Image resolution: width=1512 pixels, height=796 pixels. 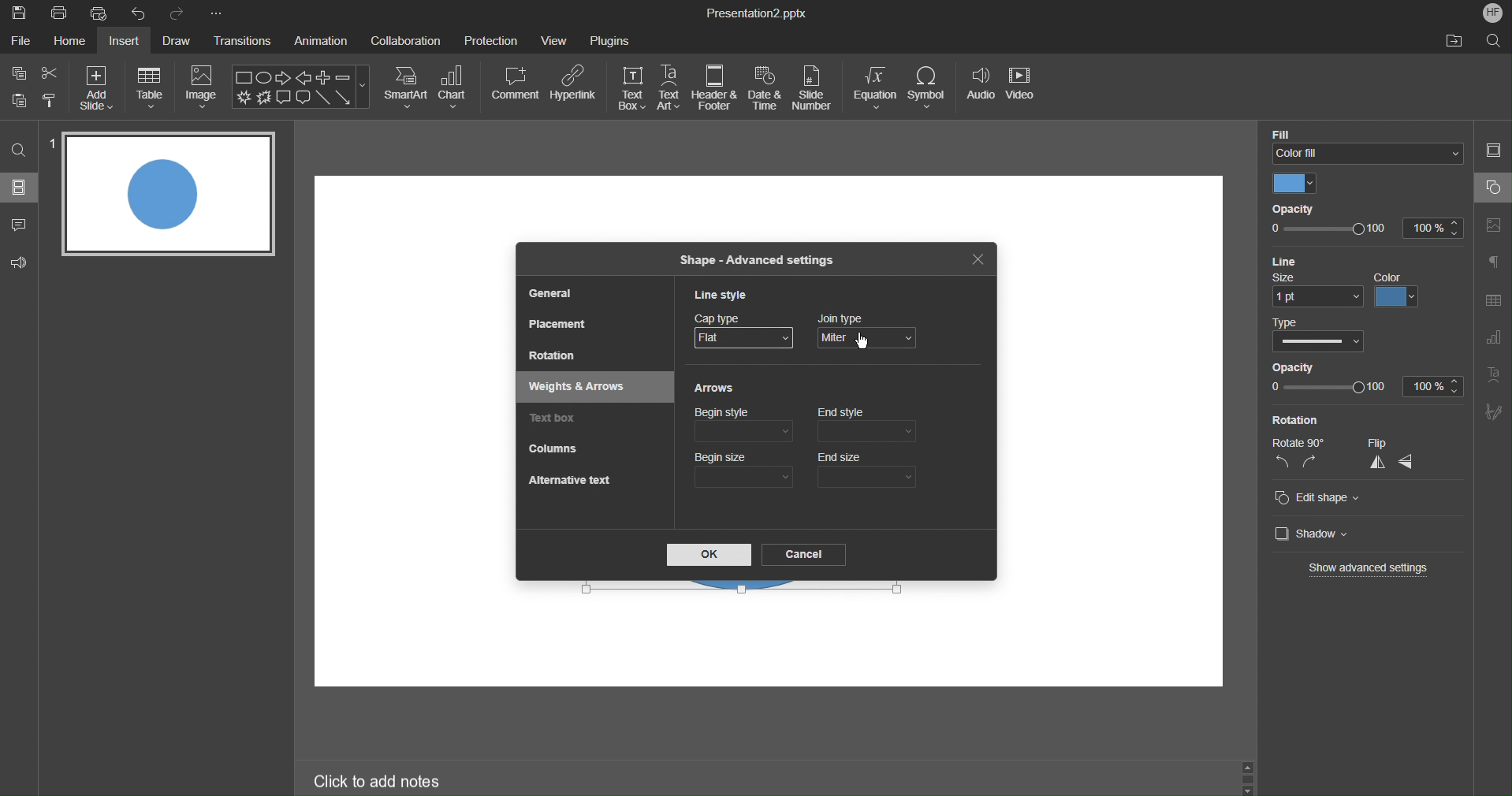 I want to click on Arrows, so click(x=714, y=389).